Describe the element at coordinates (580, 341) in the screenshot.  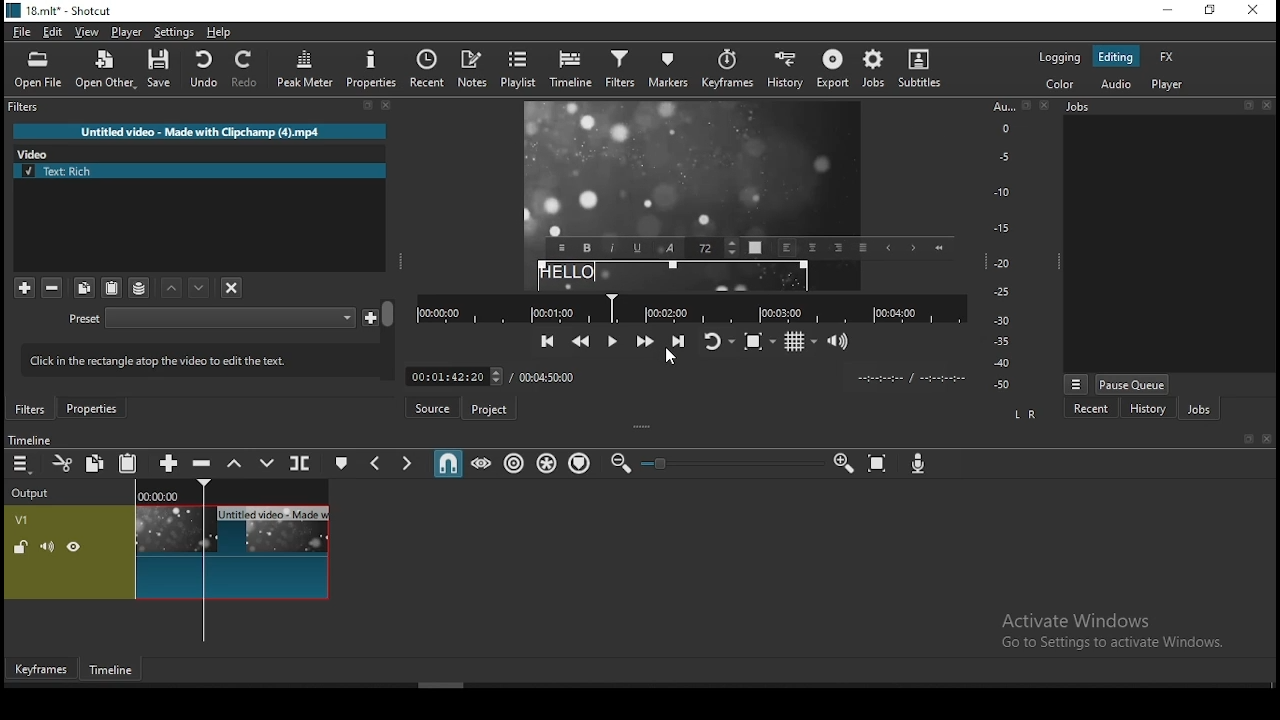
I see `play quickly backwards` at that location.